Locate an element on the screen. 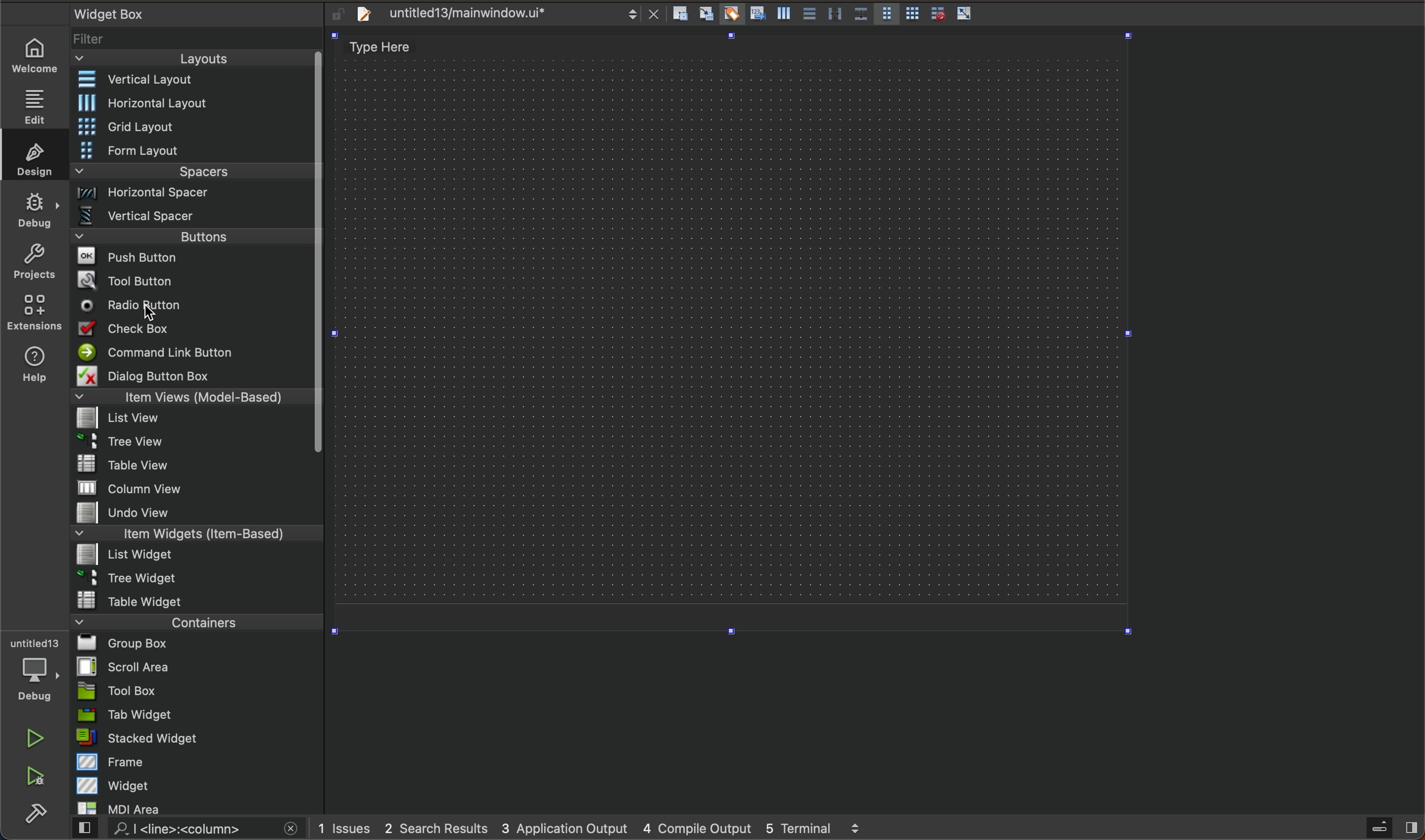  frame is located at coordinates (199, 761).